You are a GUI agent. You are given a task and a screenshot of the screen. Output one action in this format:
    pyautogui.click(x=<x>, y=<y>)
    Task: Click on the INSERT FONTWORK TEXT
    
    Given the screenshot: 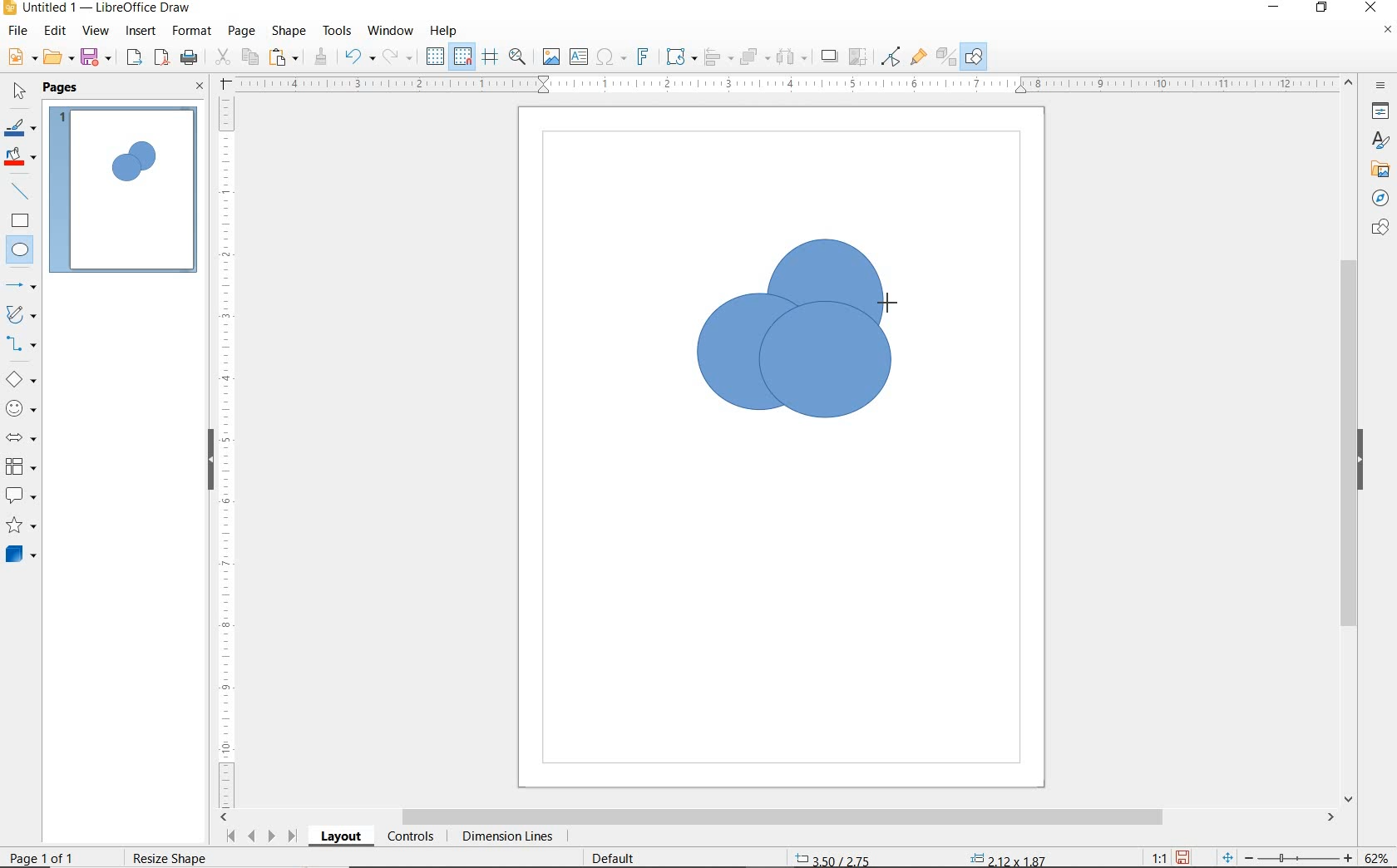 What is the action you would take?
    pyautogui.click(x=641, y=57)
    